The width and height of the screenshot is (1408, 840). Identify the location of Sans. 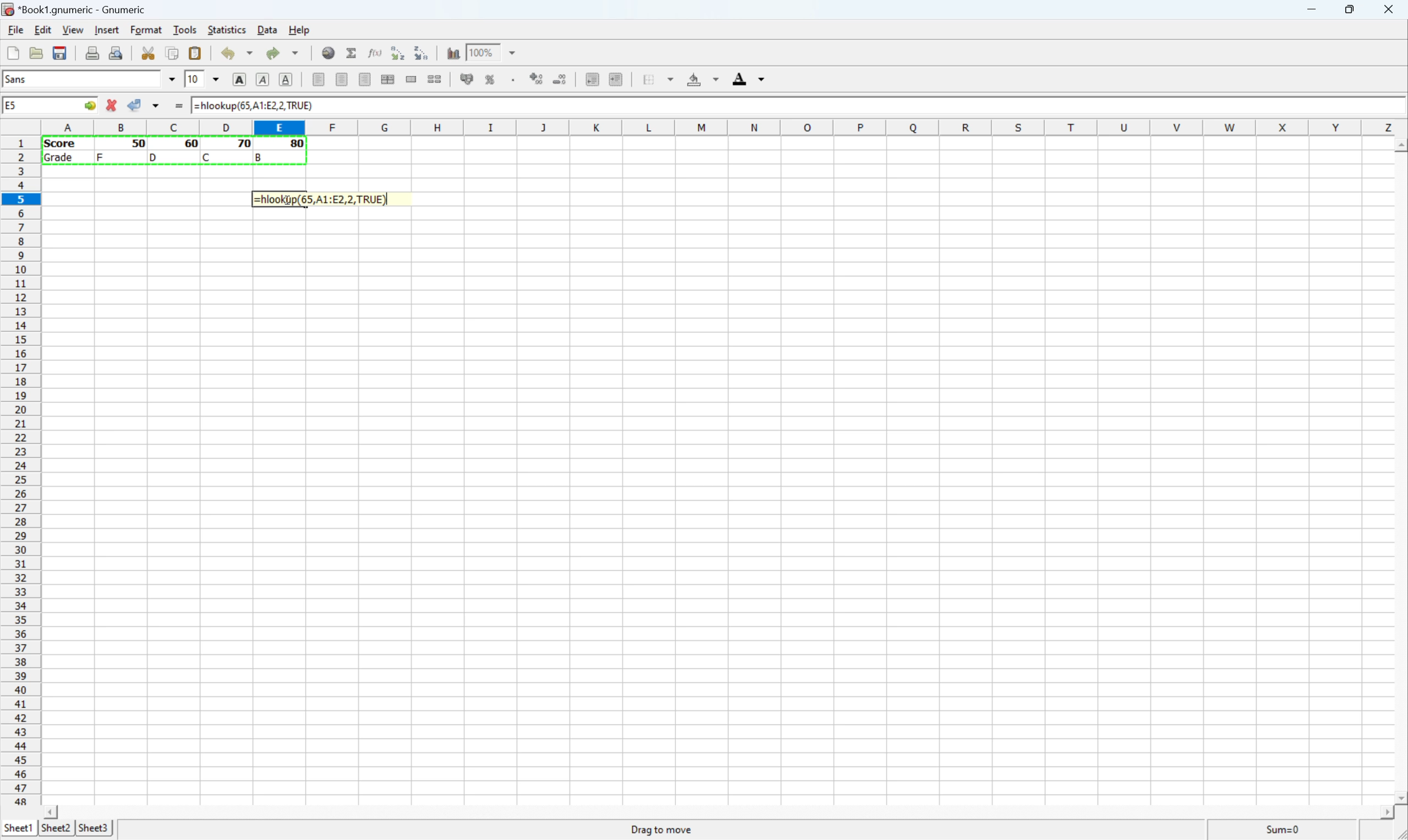
(32, 80).